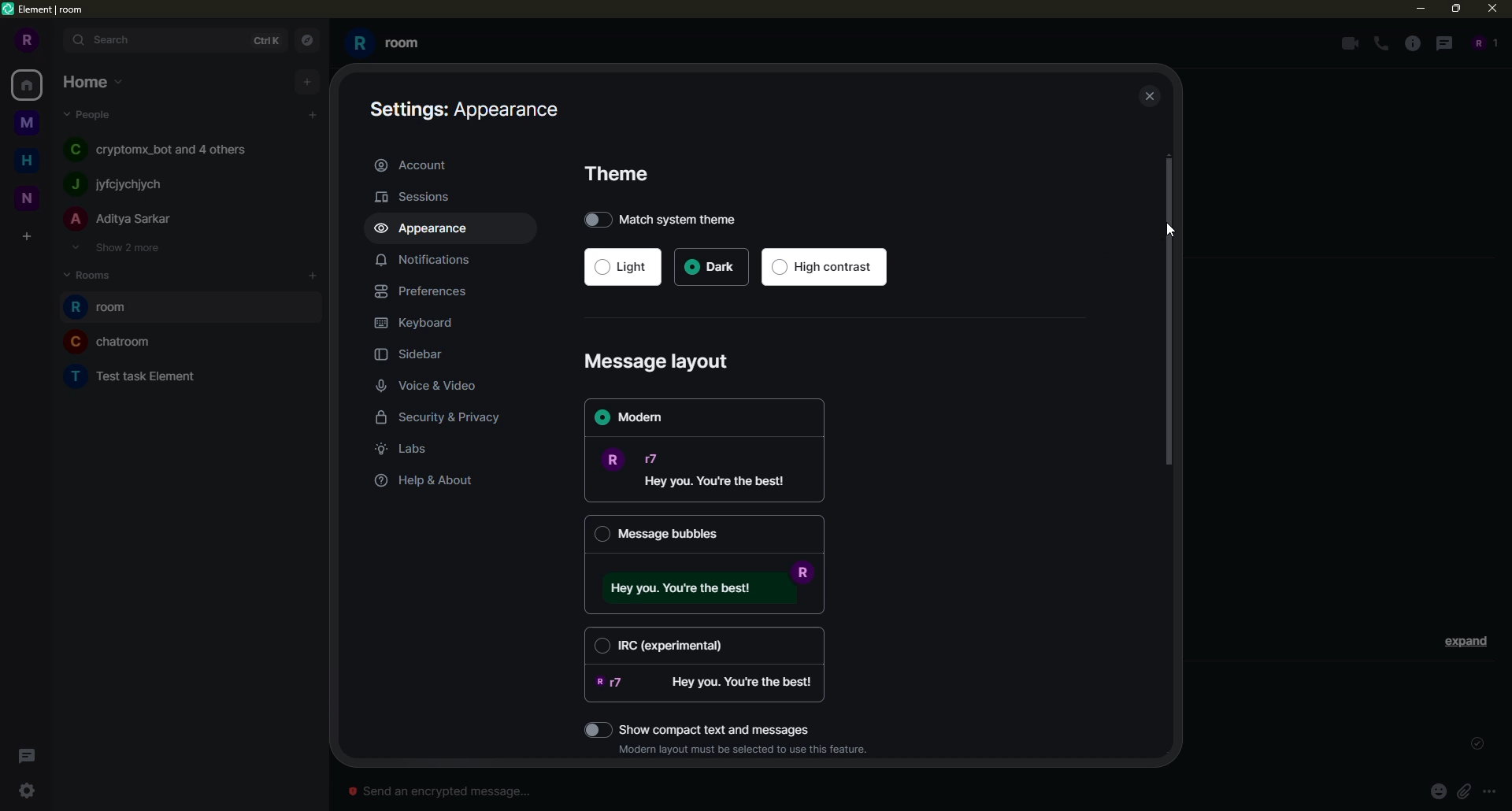 The height and width of the screenshot is (811, 1512). What do you see at coordinates (439, 791) in the screenshot?
I see ` Send an encrypted message...` at bounding box center [439, 791].